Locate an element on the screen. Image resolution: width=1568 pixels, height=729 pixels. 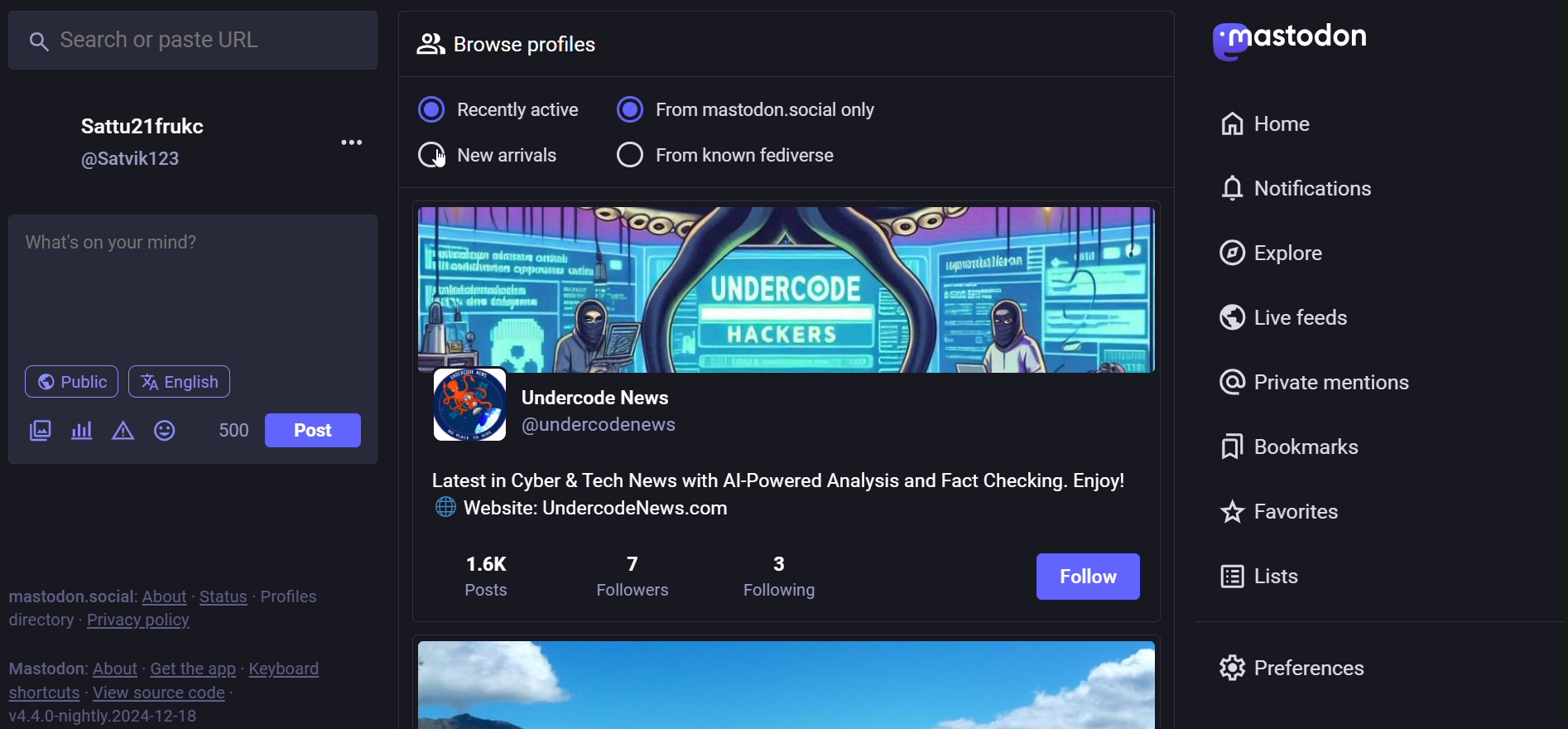
notifications is located at coordinates (1316, 190).